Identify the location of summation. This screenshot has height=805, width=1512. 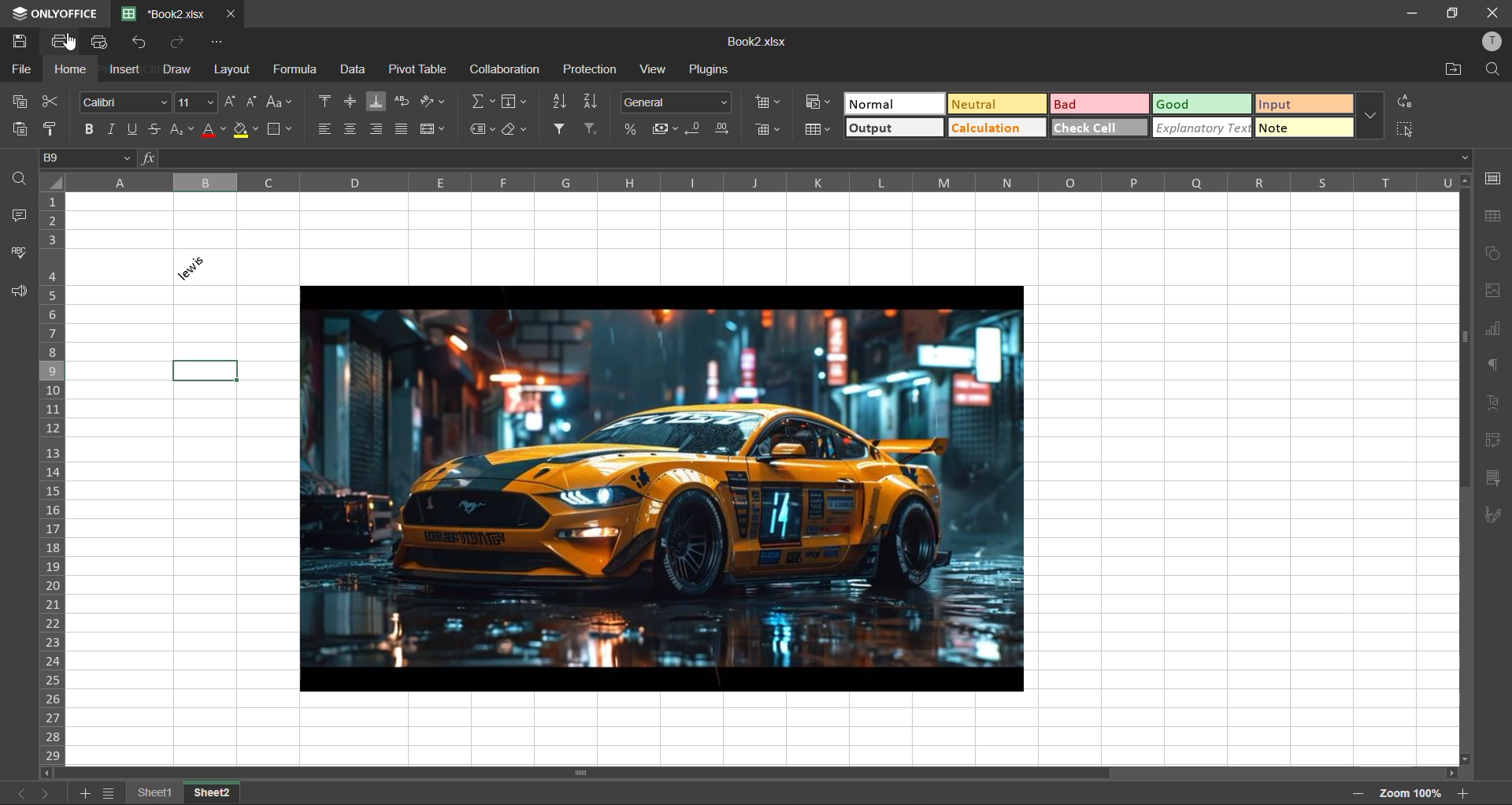
(484, 101).